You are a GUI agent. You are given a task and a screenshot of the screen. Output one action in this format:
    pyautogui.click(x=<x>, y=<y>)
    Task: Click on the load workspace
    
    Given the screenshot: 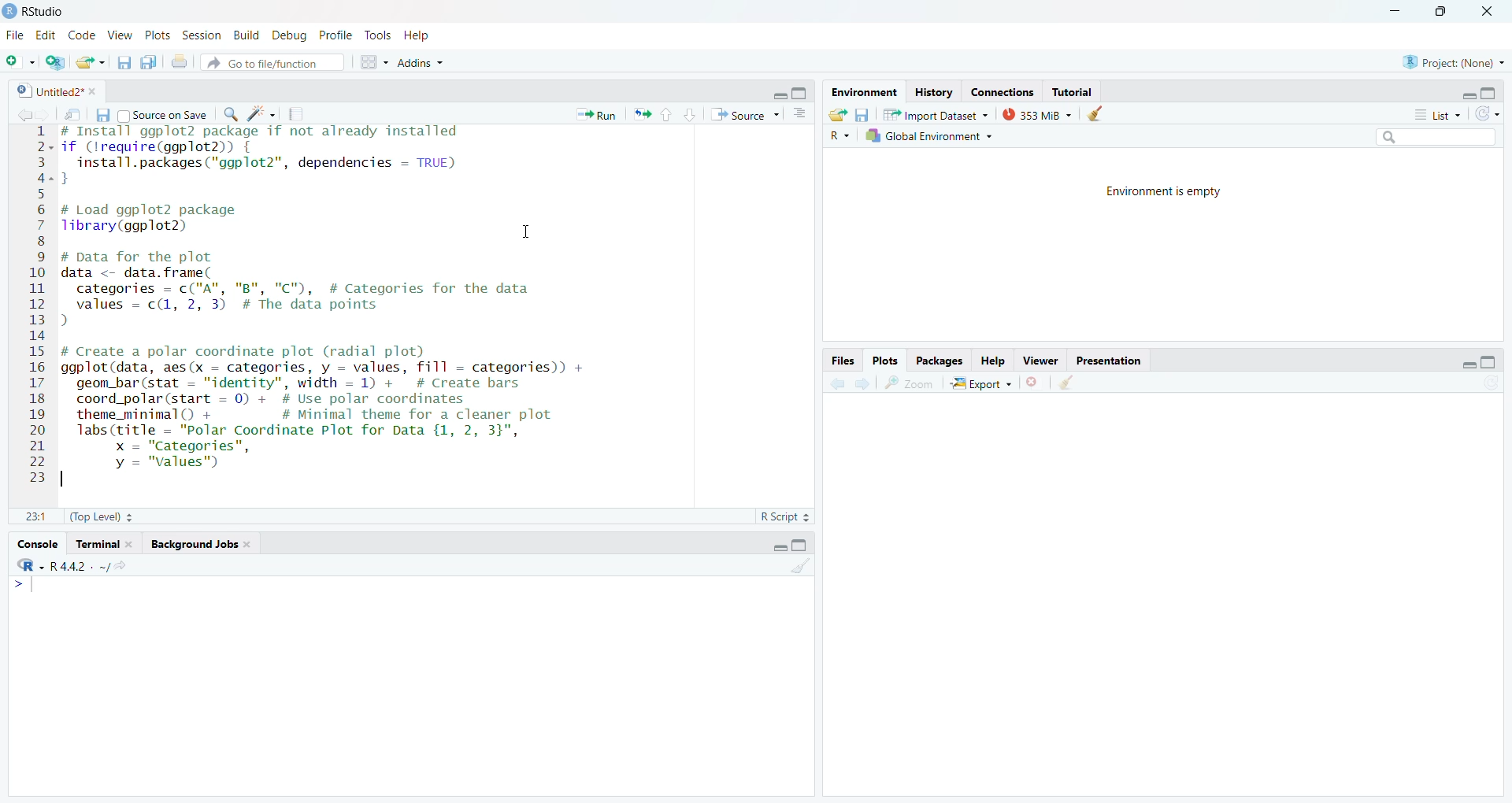 What is the action you would take?
    pyautogui.click(x=839, y=115)
    